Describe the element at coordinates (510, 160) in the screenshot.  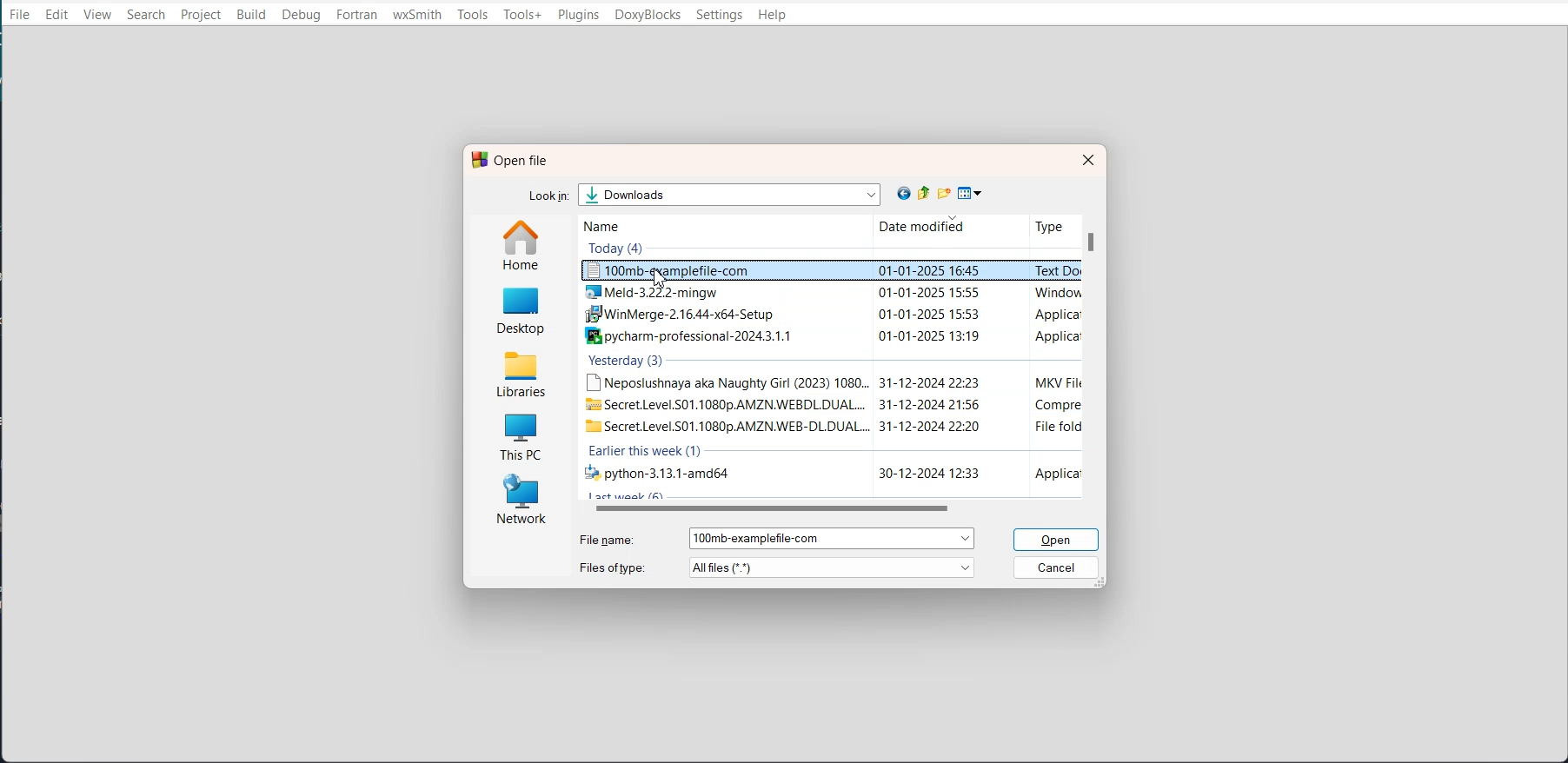
I see `Text` at that location.